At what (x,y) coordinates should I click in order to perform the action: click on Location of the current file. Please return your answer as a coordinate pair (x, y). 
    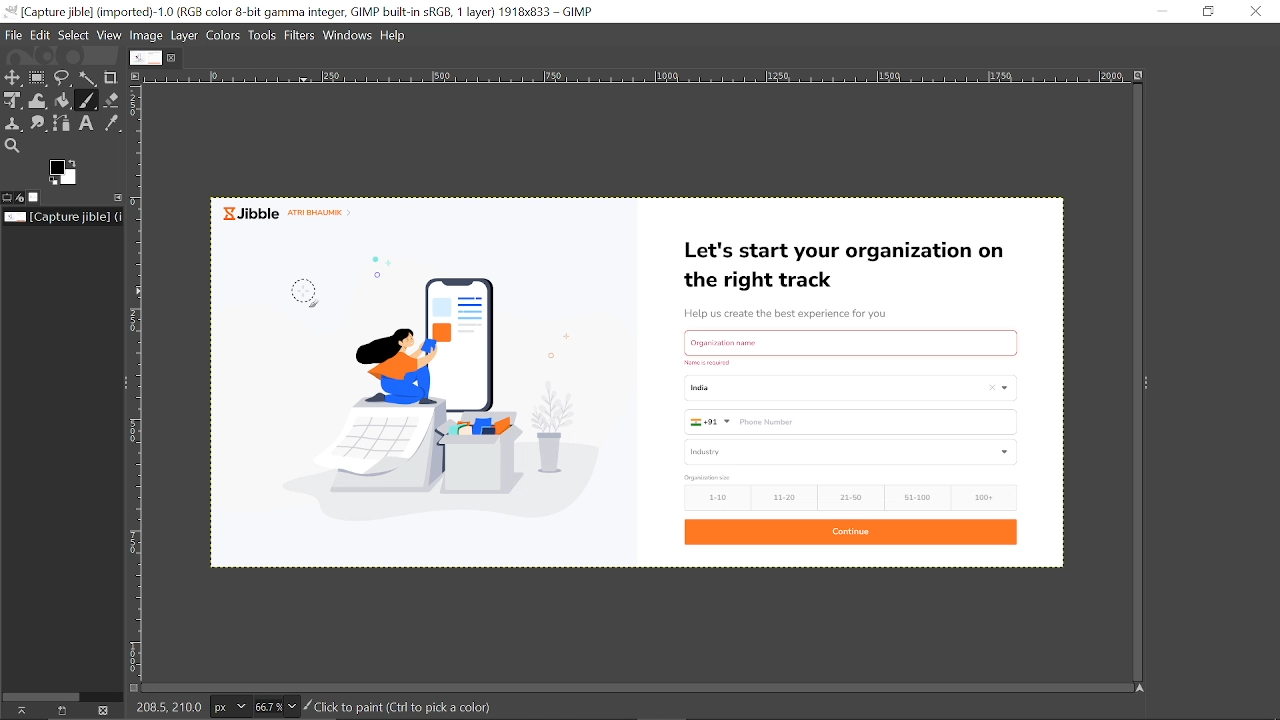
    Looking at the image, I should click on (62, 217).